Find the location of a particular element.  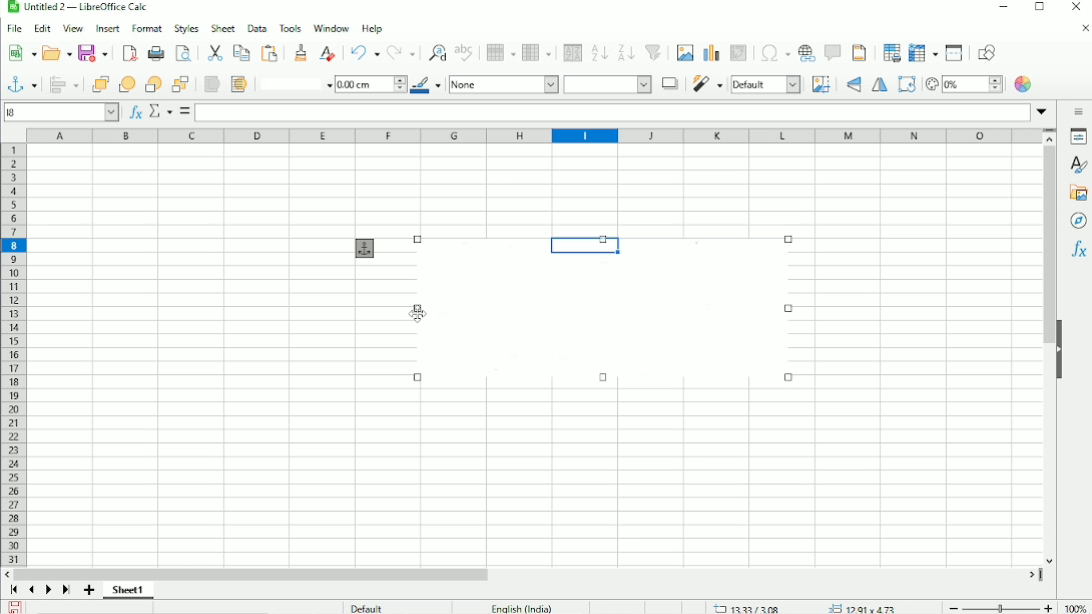

Paste is located at coordinates (215, 52).